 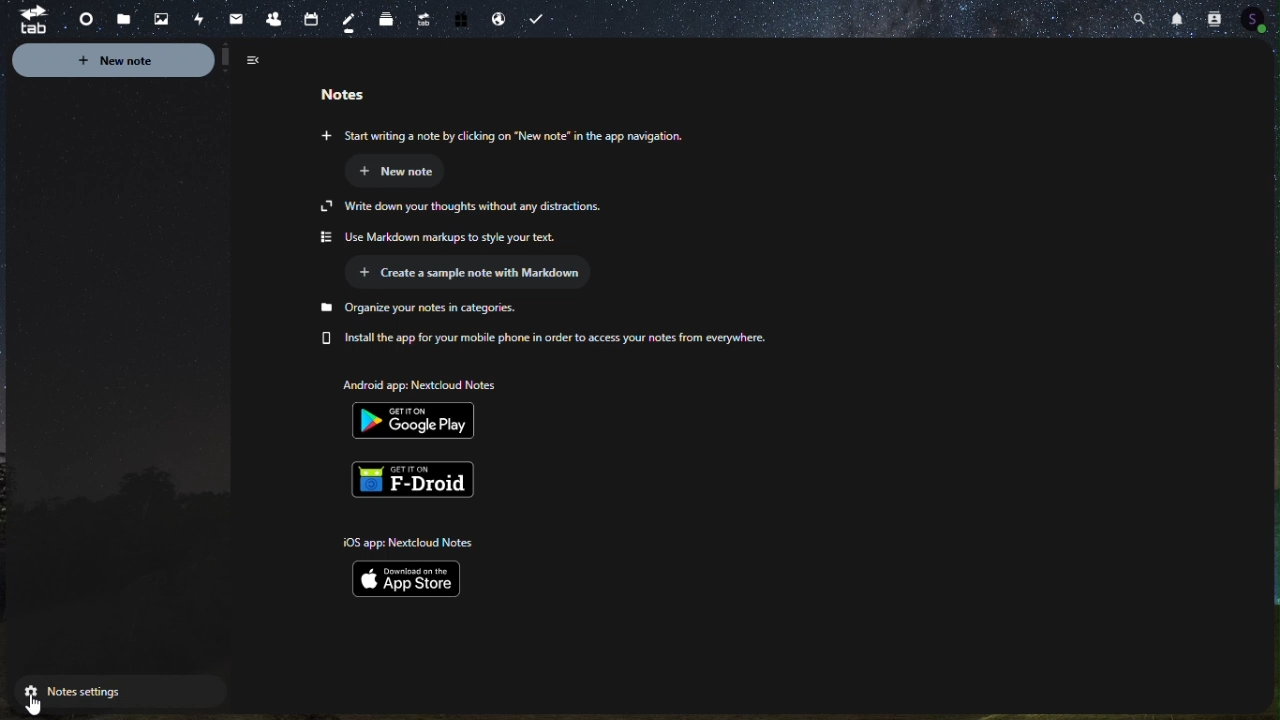 What do you see at coordinates (1125, 16) in the screenshot?
I see `Search bar` at bounding box center [1125, 16].